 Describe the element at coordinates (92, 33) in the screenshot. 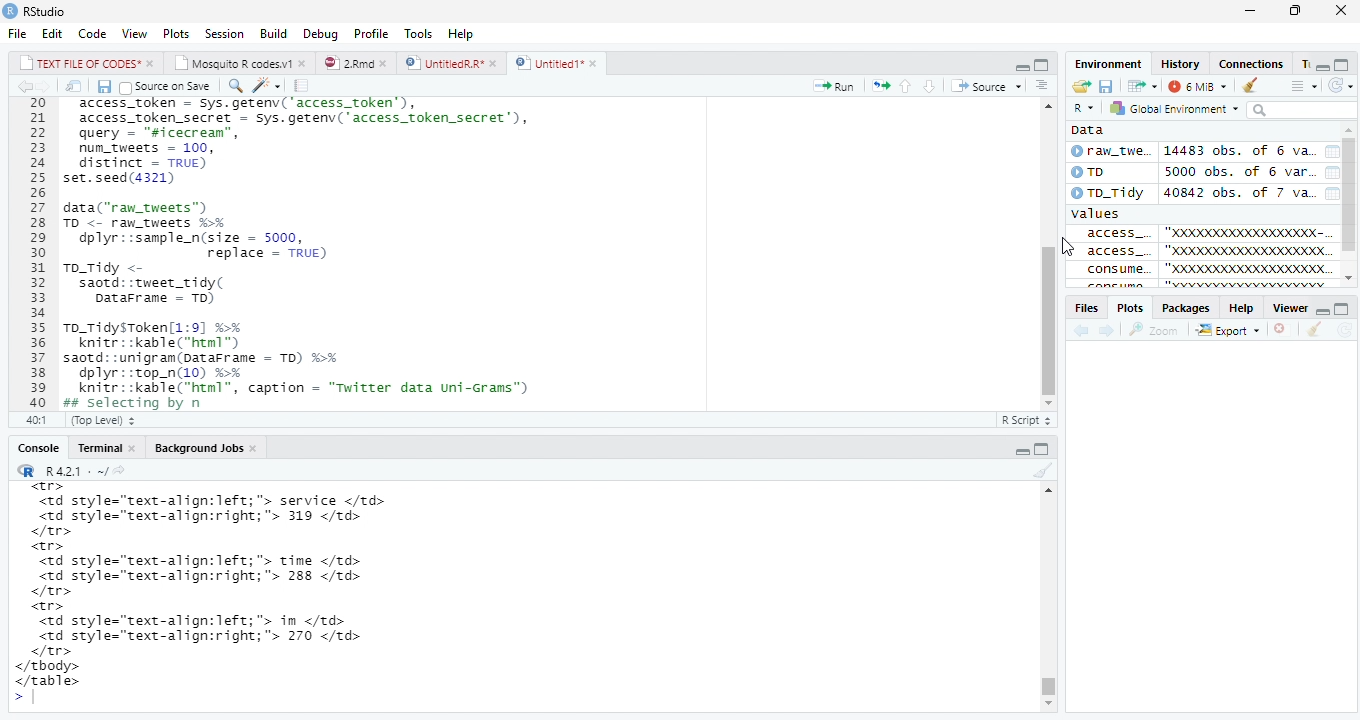

I see `Code` at that location.